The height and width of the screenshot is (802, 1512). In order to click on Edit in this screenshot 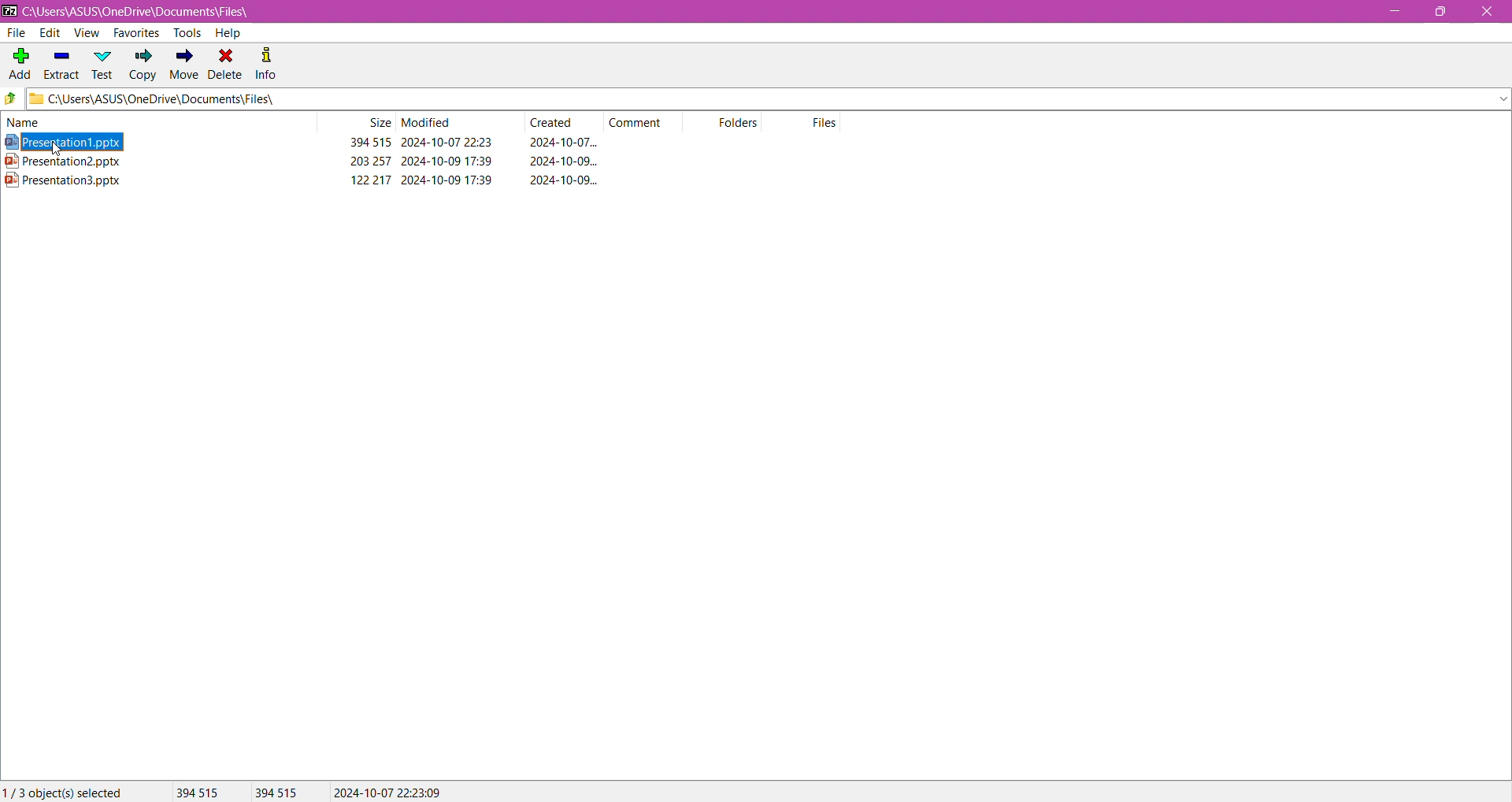, I will do `click(49, 33)`.